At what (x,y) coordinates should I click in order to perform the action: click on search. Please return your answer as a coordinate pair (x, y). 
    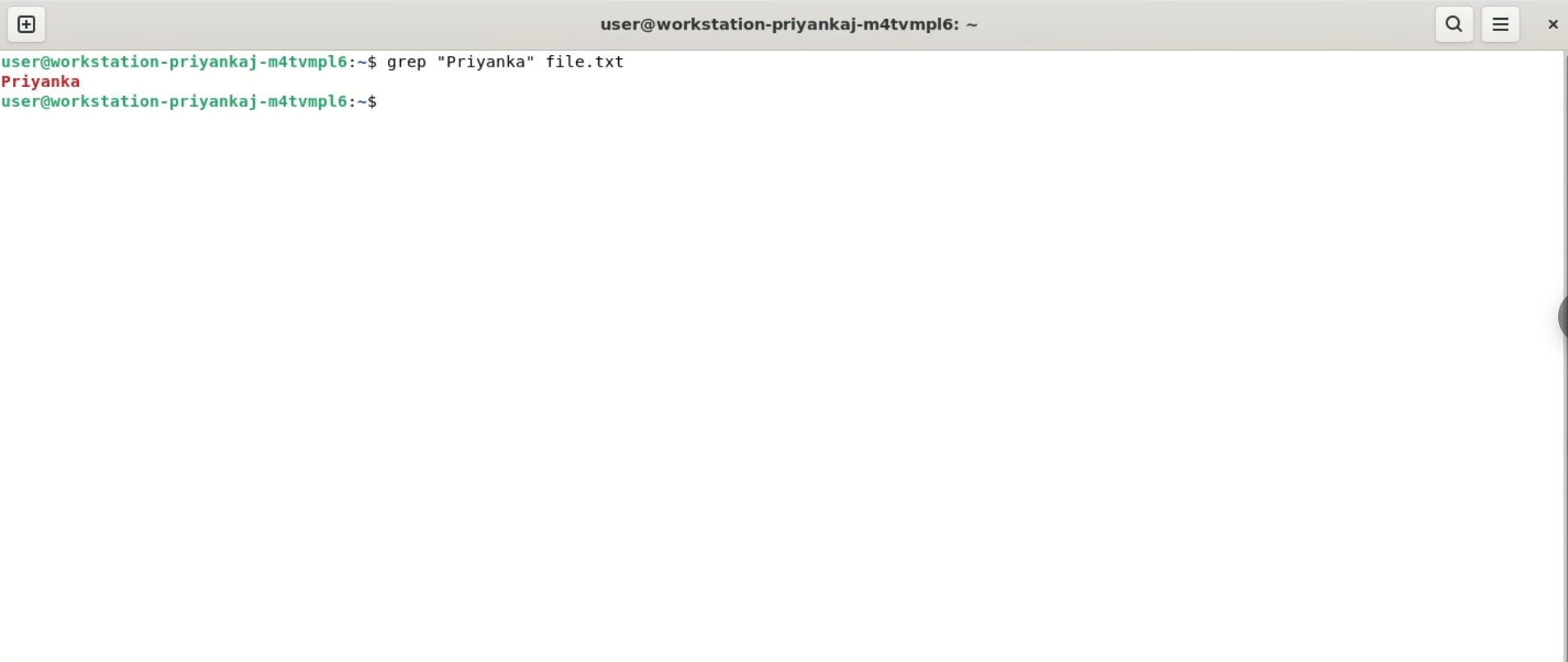
    Looking at the image, I should click on (1456, 24).